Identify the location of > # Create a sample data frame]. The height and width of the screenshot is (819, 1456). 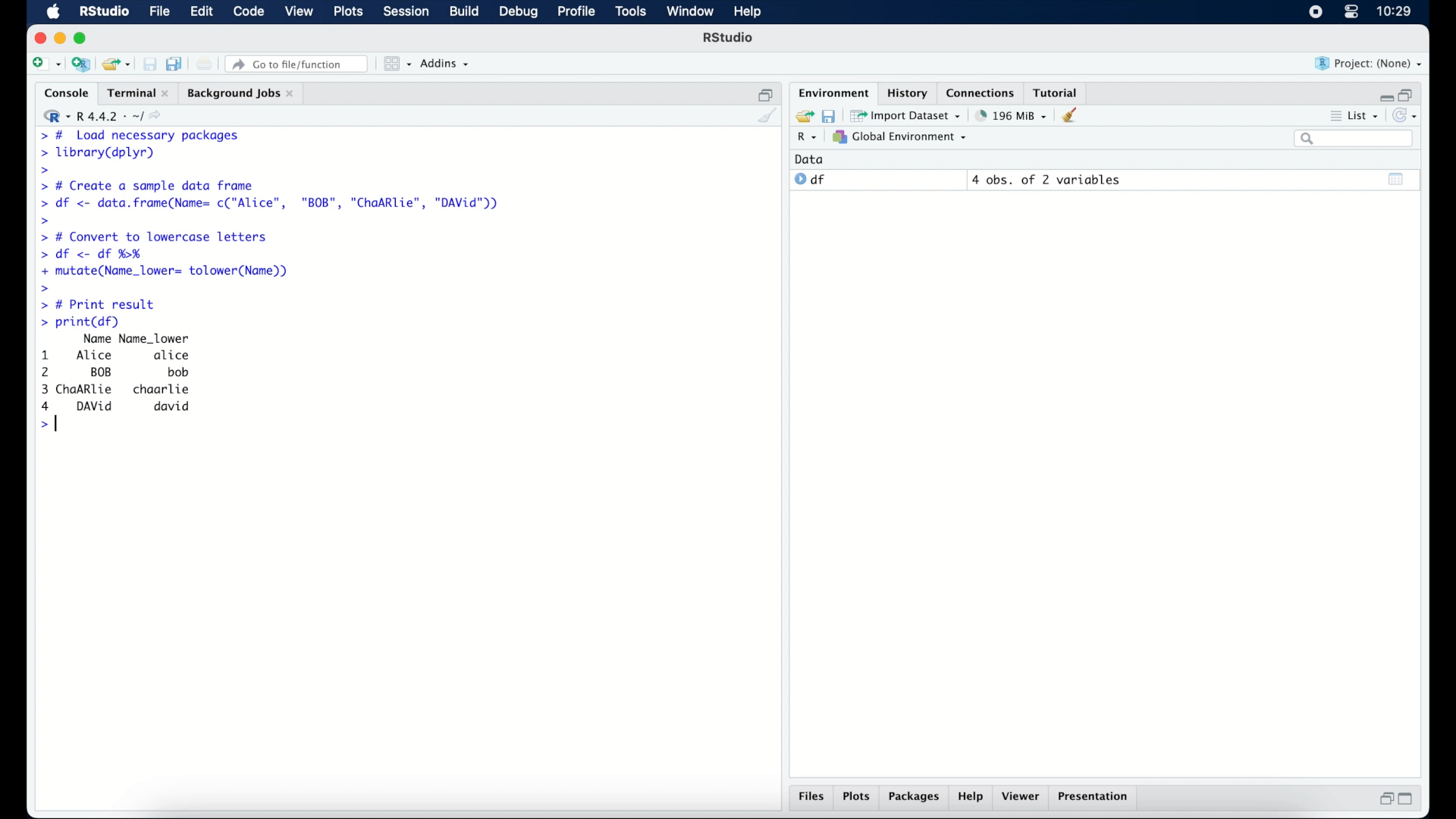
(150, 185).